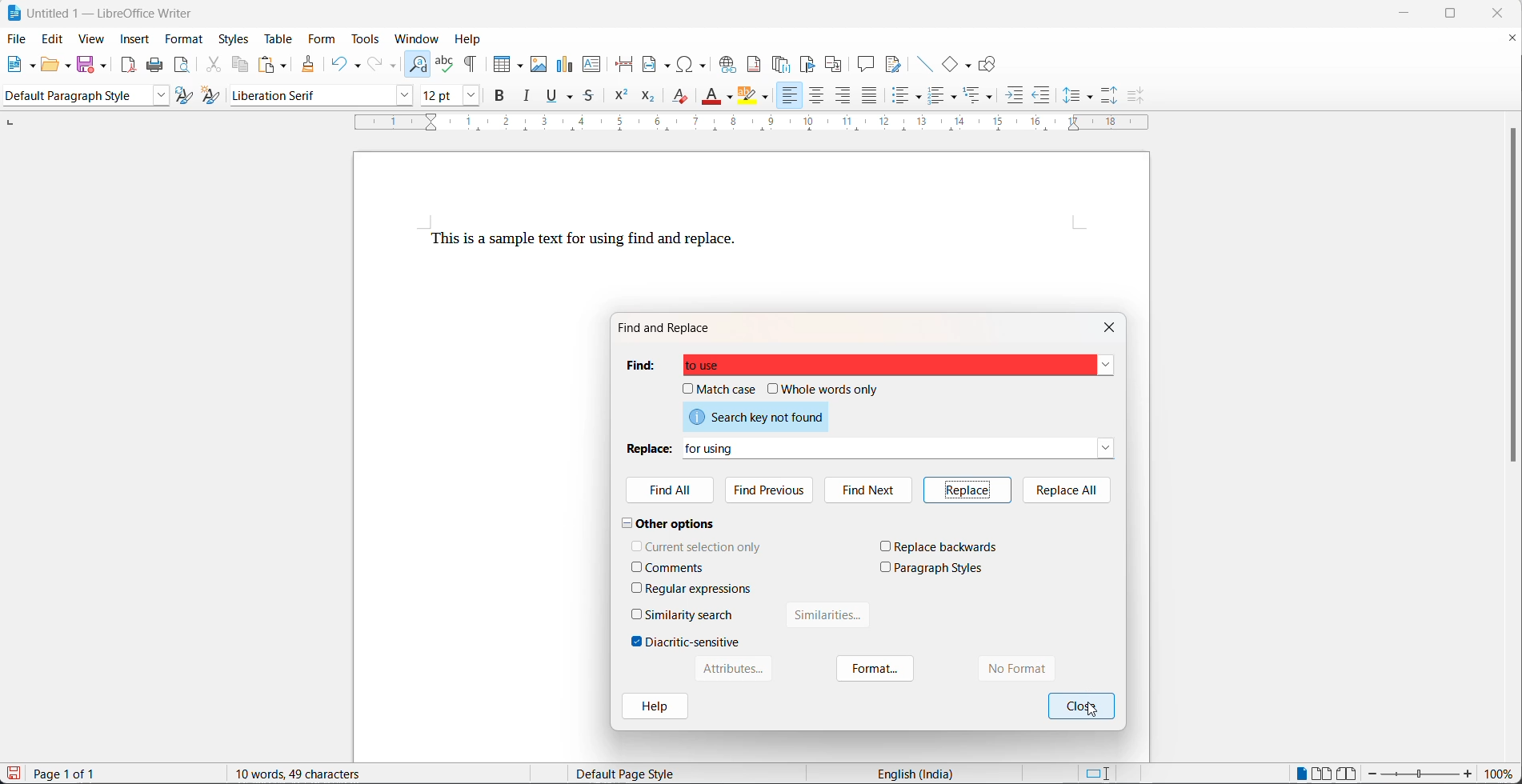  Describe the element at coordinates (17, 68) in the screenshot. I see `new file` at that location.